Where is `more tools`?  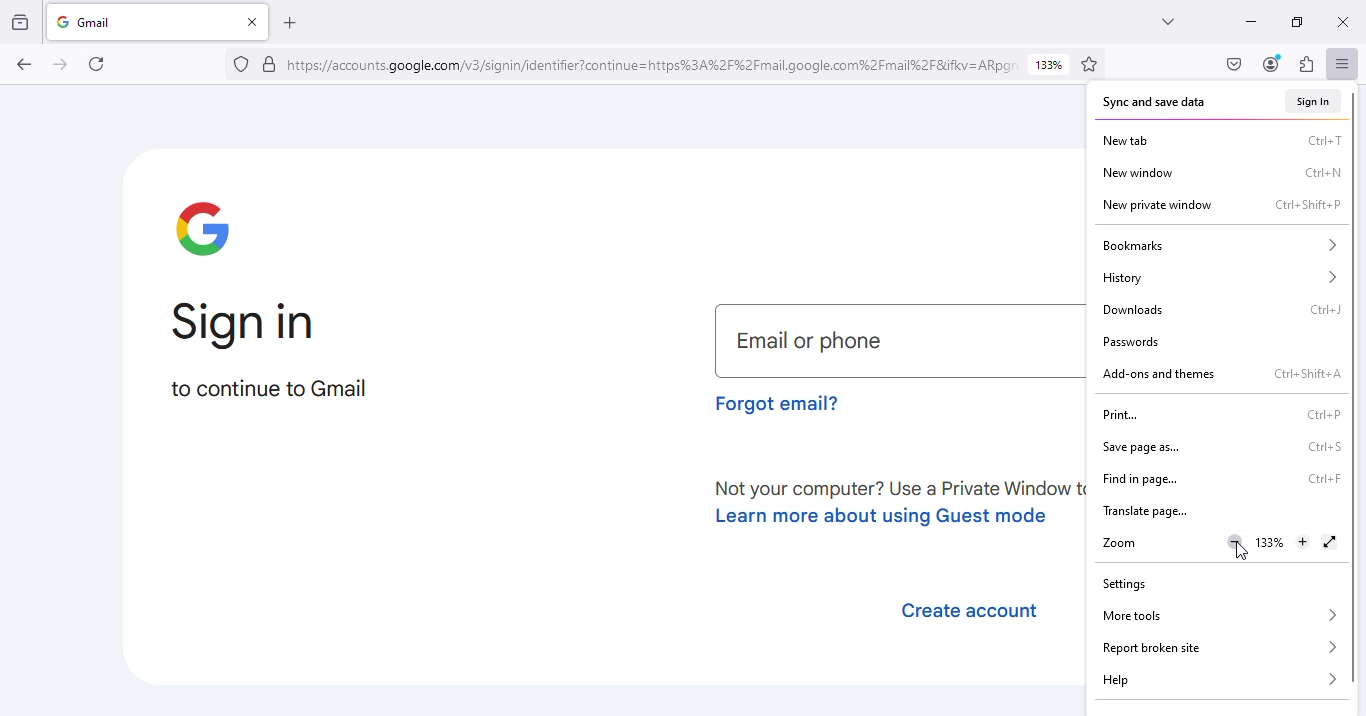 more tools is located at coordinates (1217, 615).